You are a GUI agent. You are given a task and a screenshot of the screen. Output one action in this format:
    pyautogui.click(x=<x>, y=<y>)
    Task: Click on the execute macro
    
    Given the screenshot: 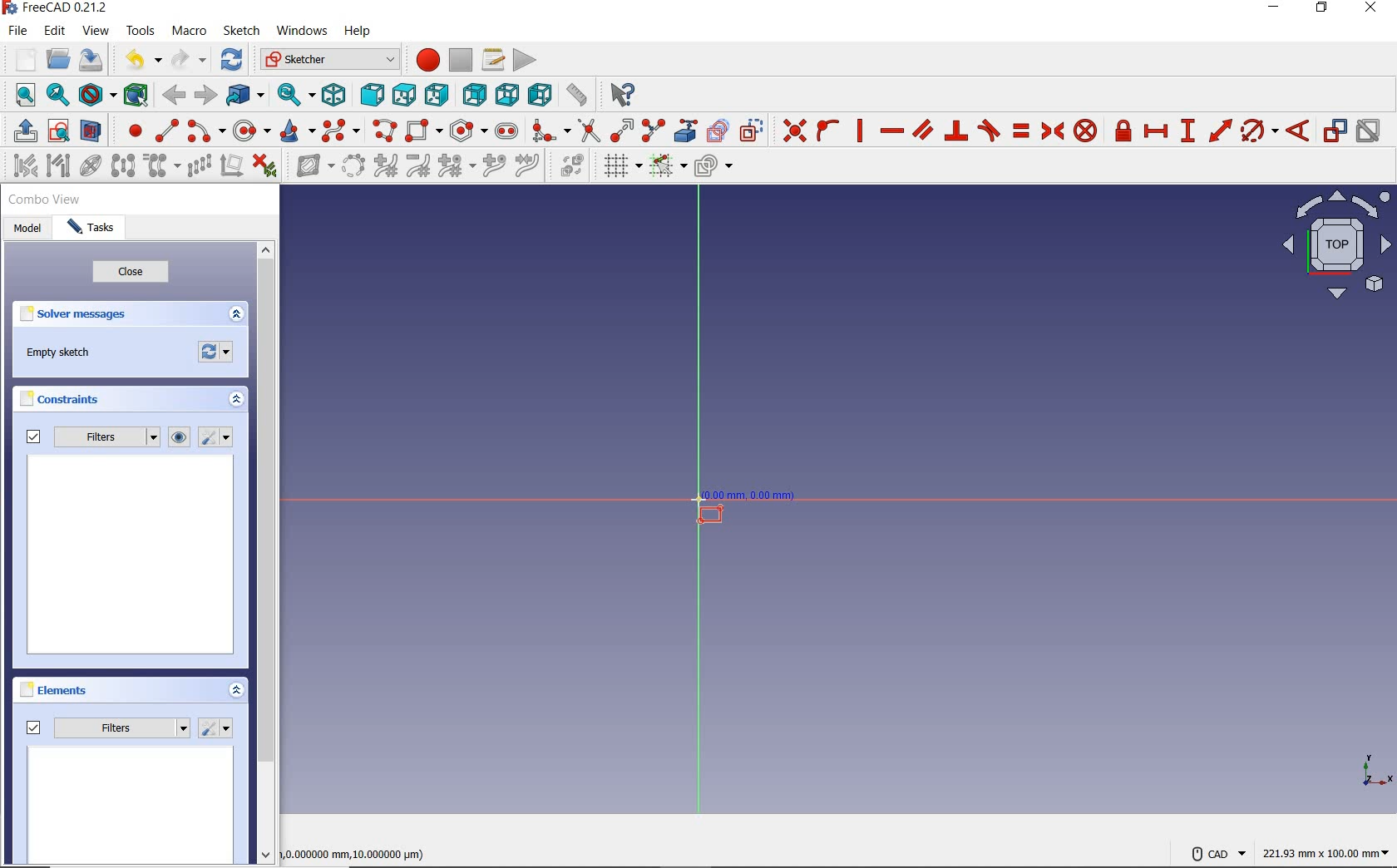 What is the action you would take?
    pyautogui.click(x=524, y=60)
    